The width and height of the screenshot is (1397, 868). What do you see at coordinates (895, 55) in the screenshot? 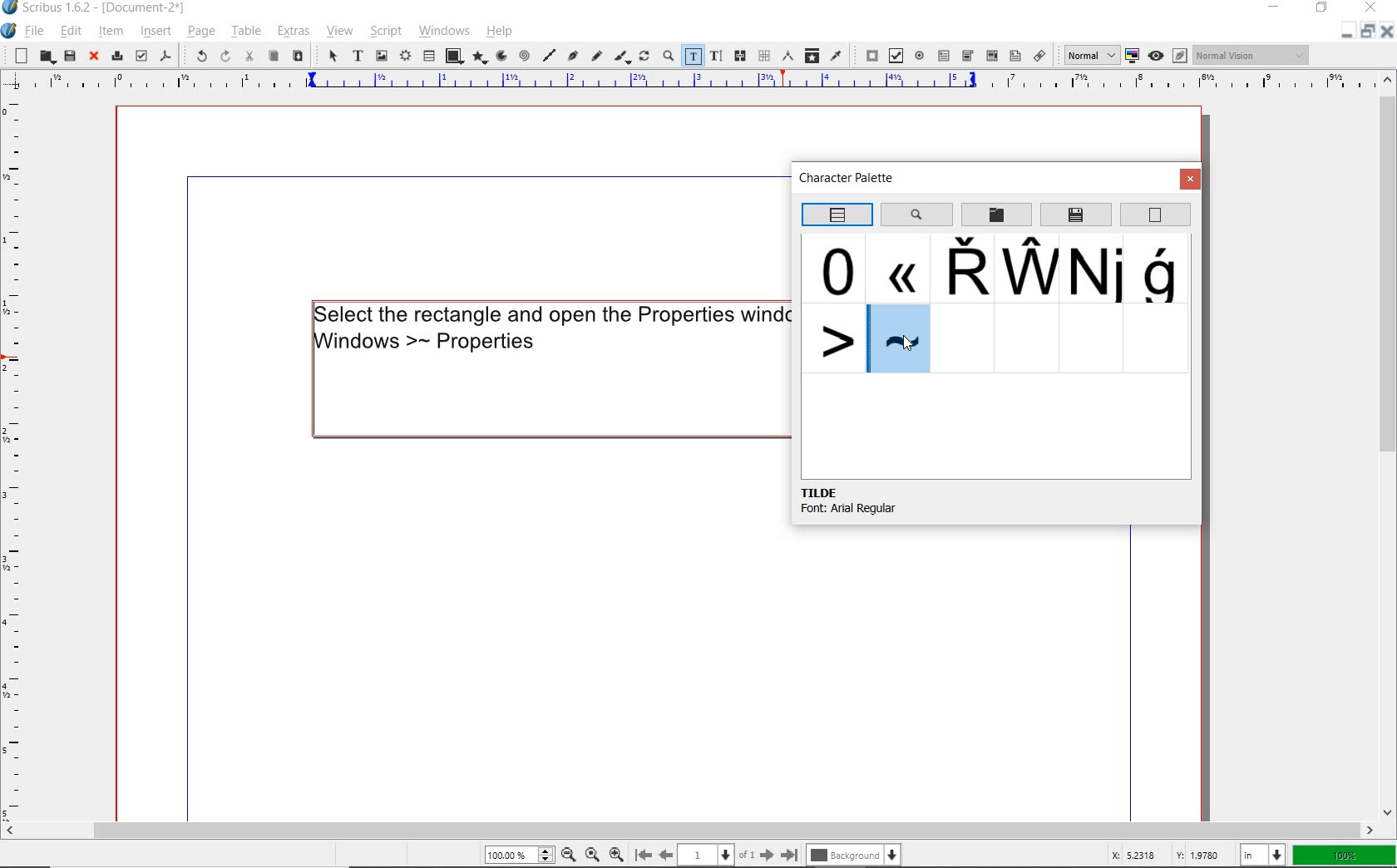
I see `pdf check box` at bounding box center [895, 55].